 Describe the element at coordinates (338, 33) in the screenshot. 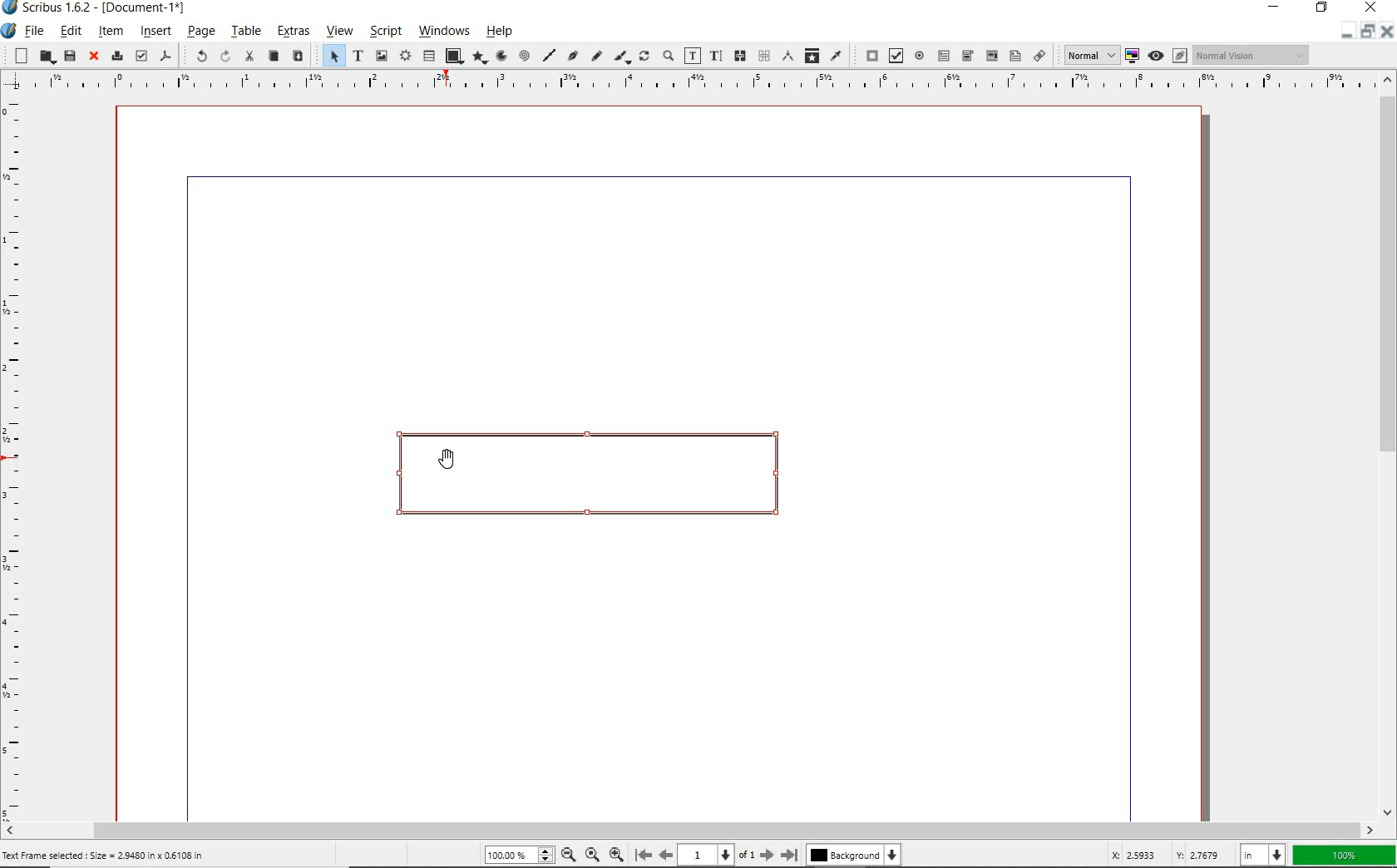

I see `view` at that location.